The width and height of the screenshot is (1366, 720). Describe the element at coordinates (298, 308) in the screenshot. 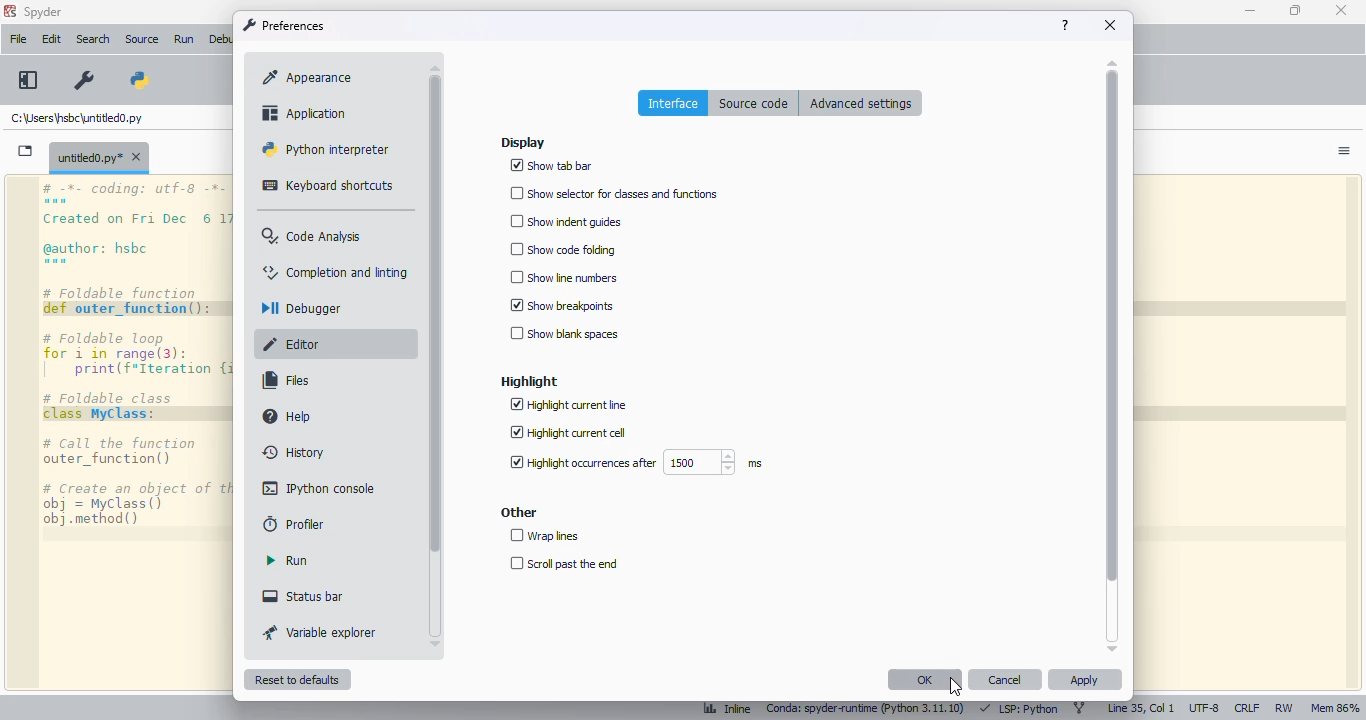

I see `debugger` at that location.